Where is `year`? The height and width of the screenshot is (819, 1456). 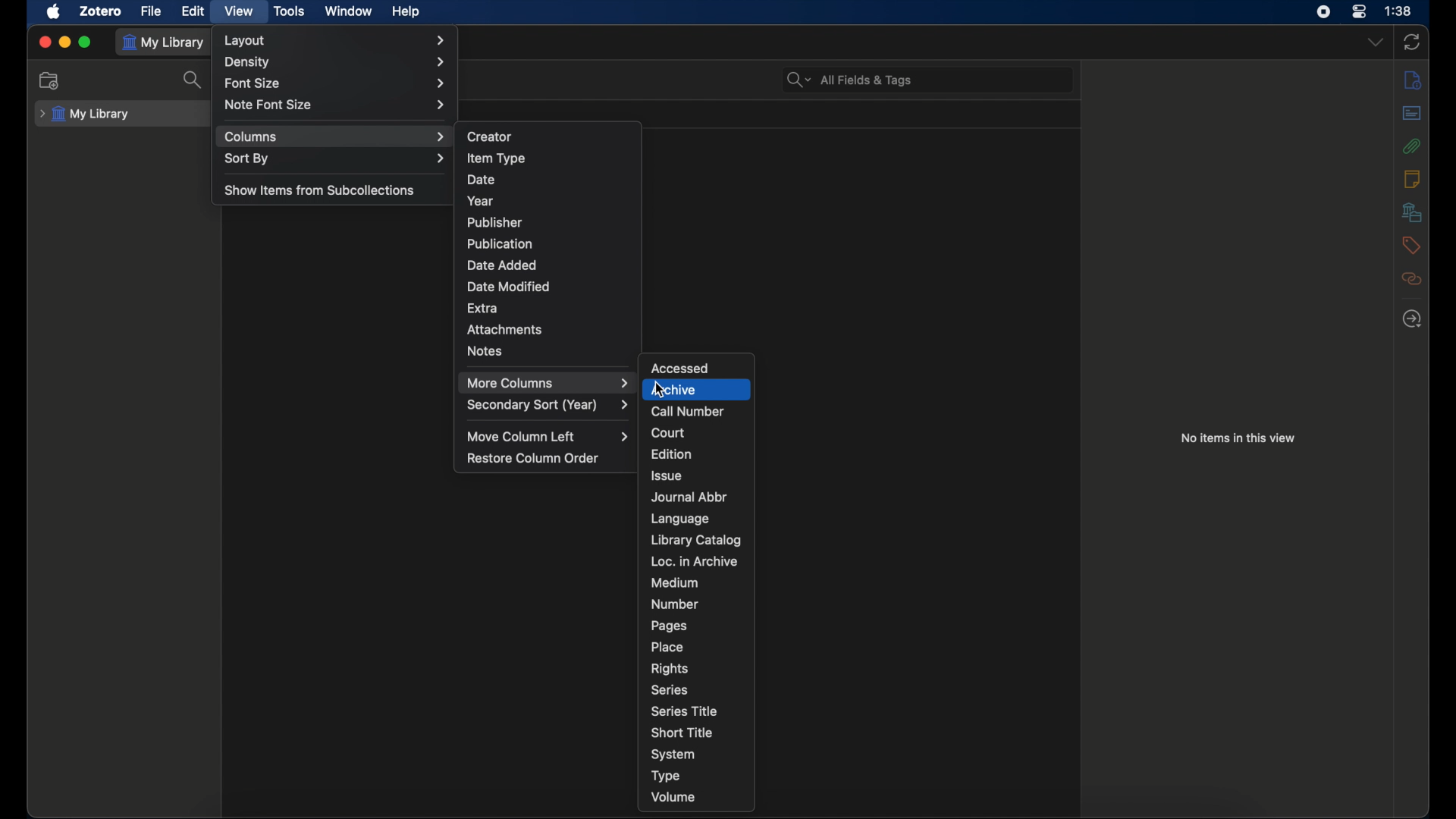
year is located at coordinates (483, 199).